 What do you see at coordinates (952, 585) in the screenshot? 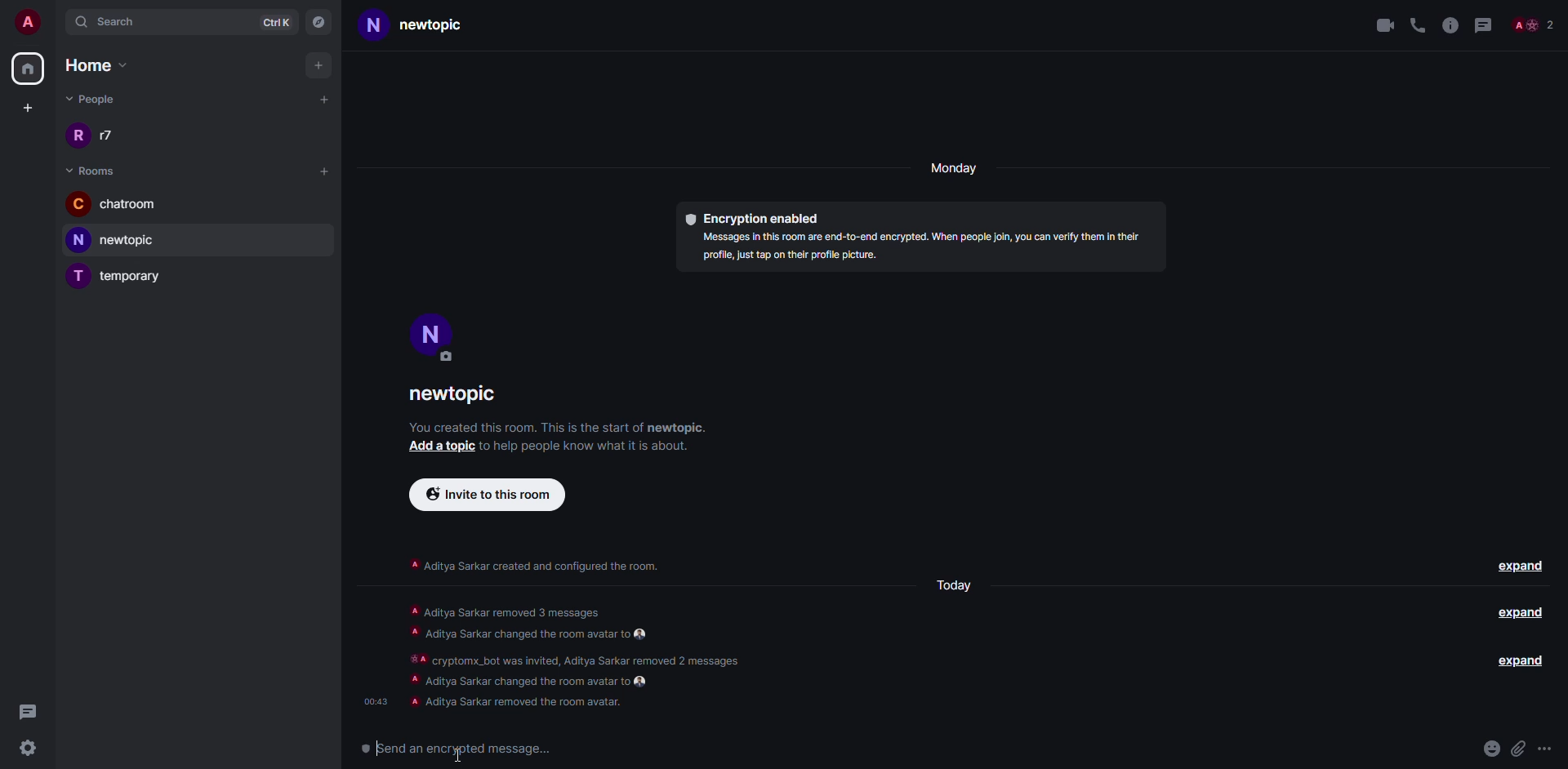
I see `Today` at bounding box center [952, 585].